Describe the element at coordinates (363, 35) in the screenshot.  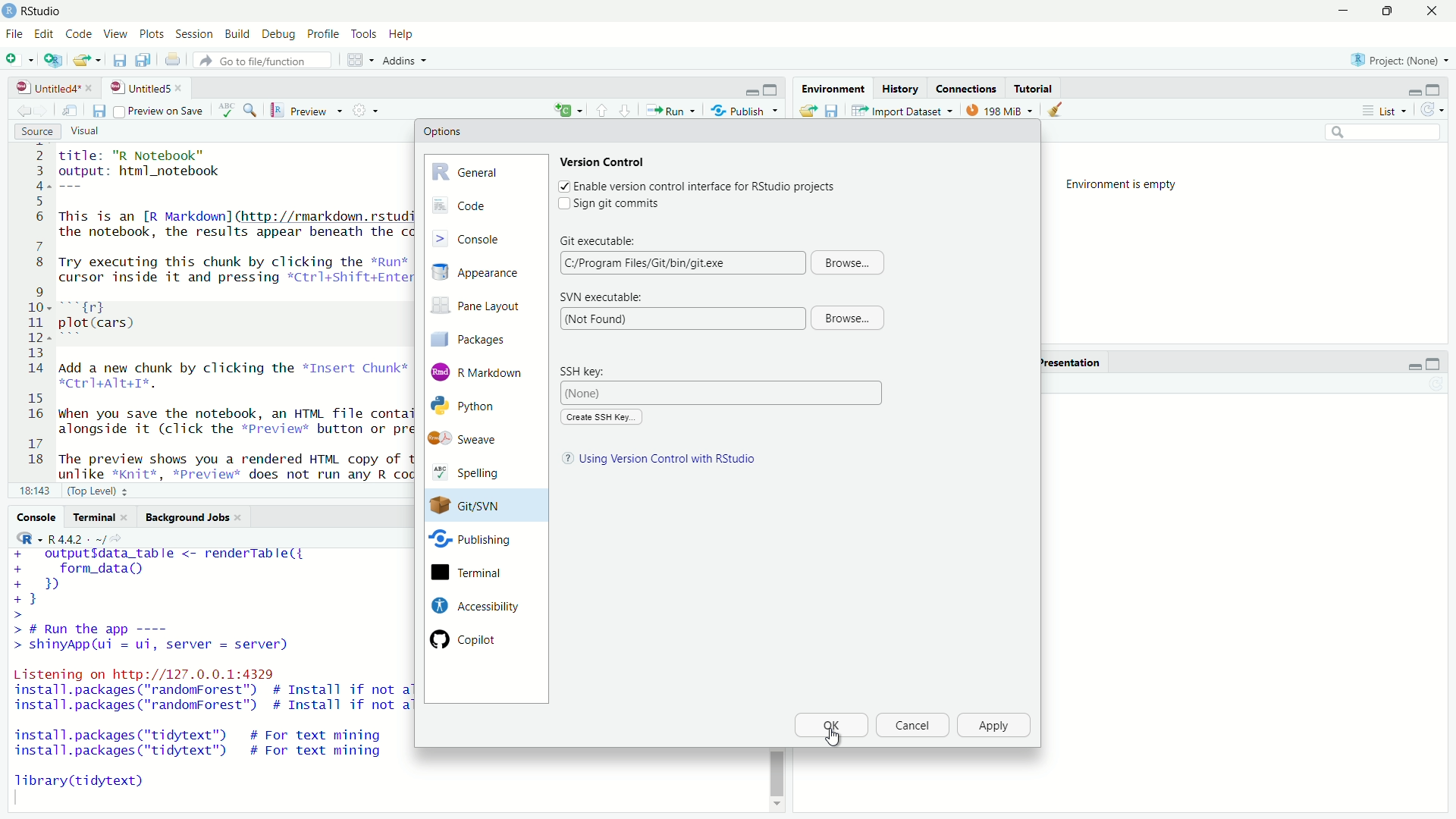
I see `Toys` at that location.